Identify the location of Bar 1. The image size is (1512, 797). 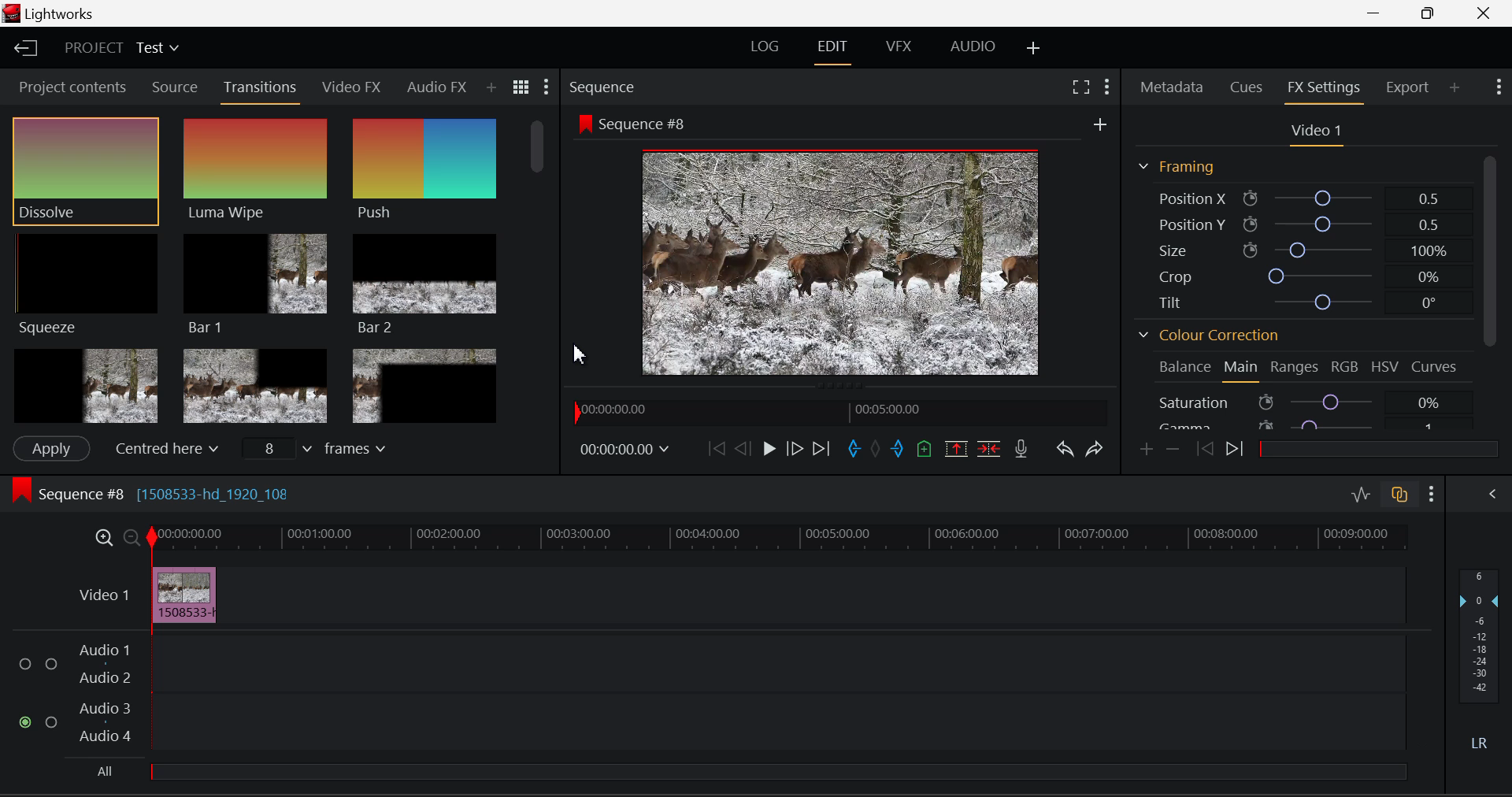
(255, 281).